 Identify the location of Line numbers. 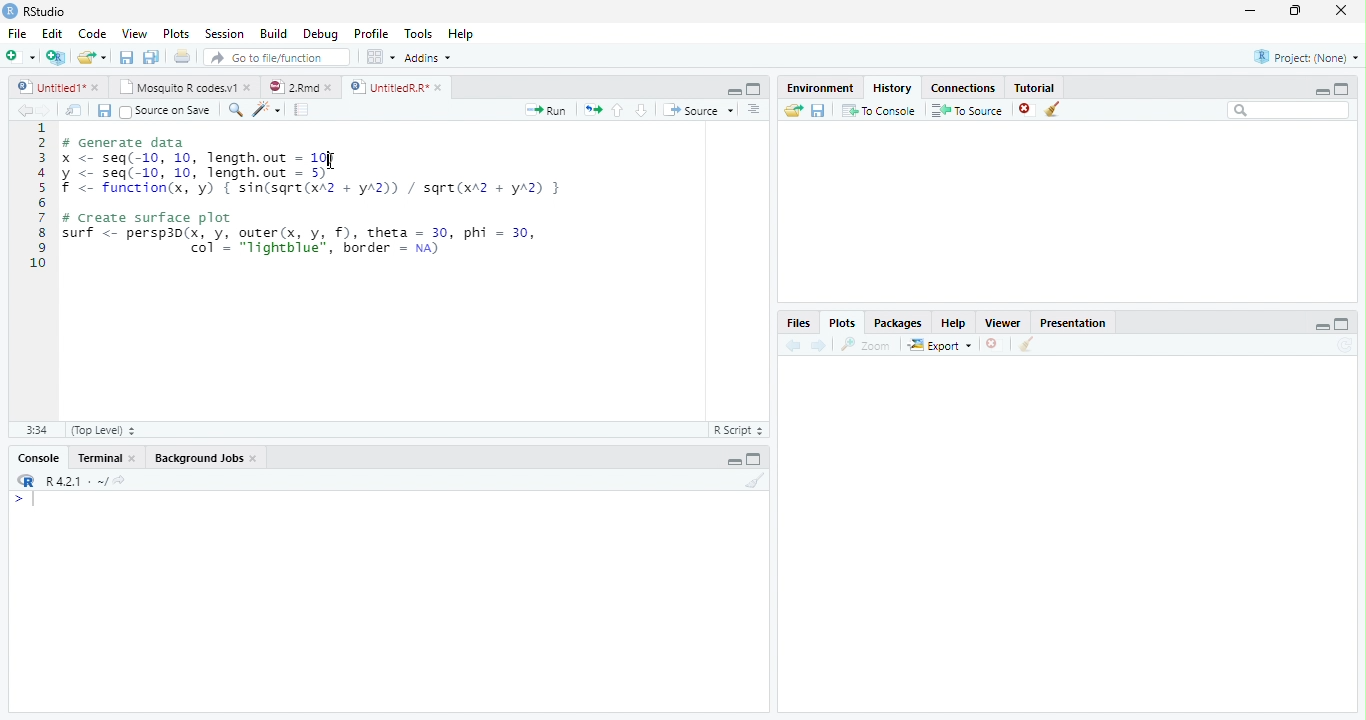
(39, 197).